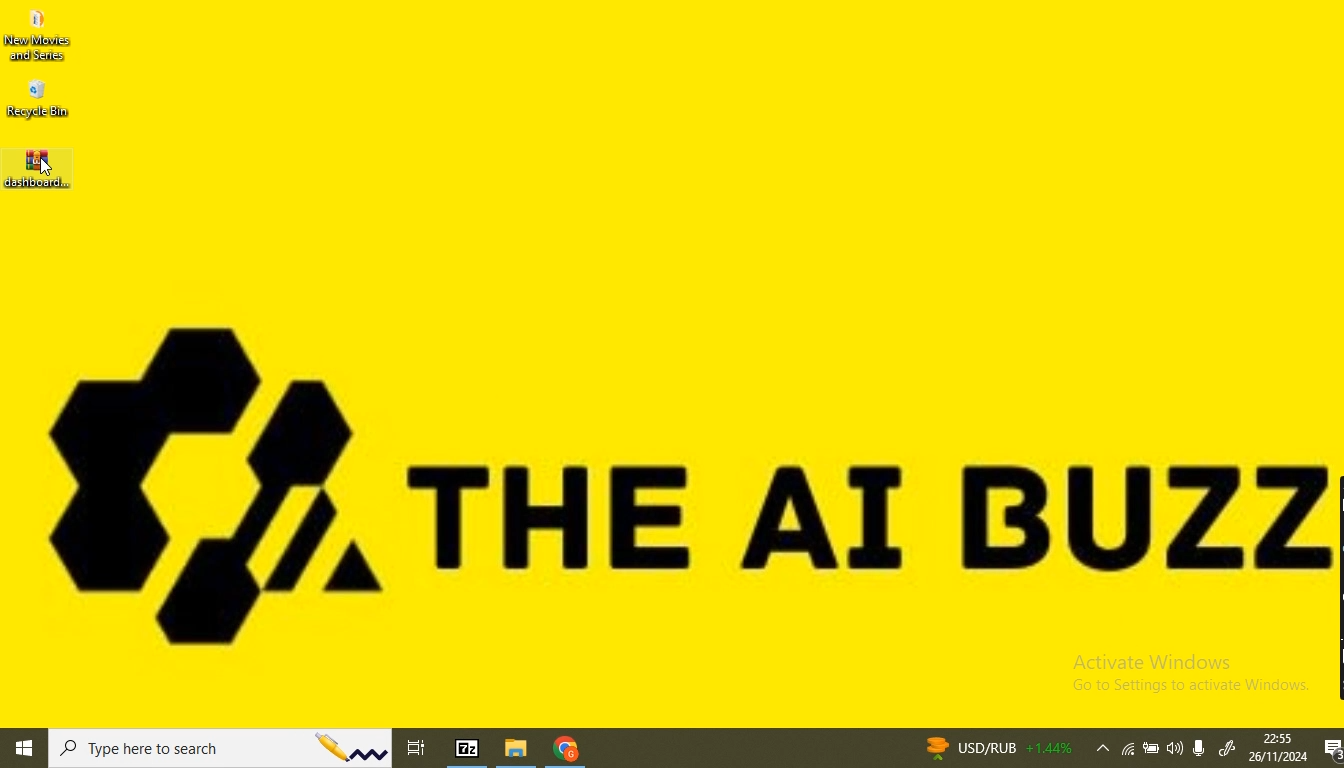  Describe the element at coordinates (223, 749) in the screenshot. I see `search bar` at that location.